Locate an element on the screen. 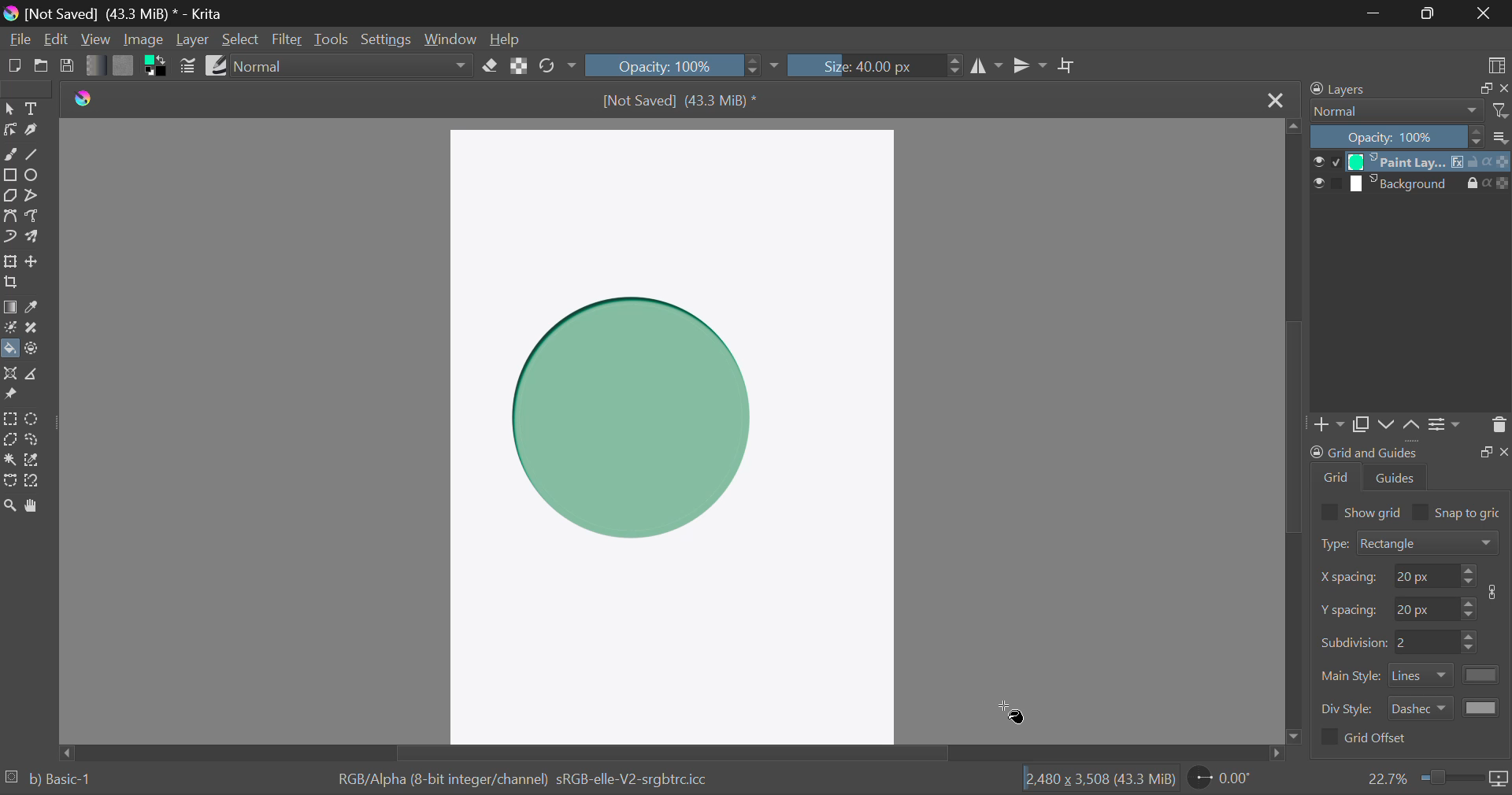 This screenshot has width=1512, height=795. Colors in Use is located at coordinates (157, 68).